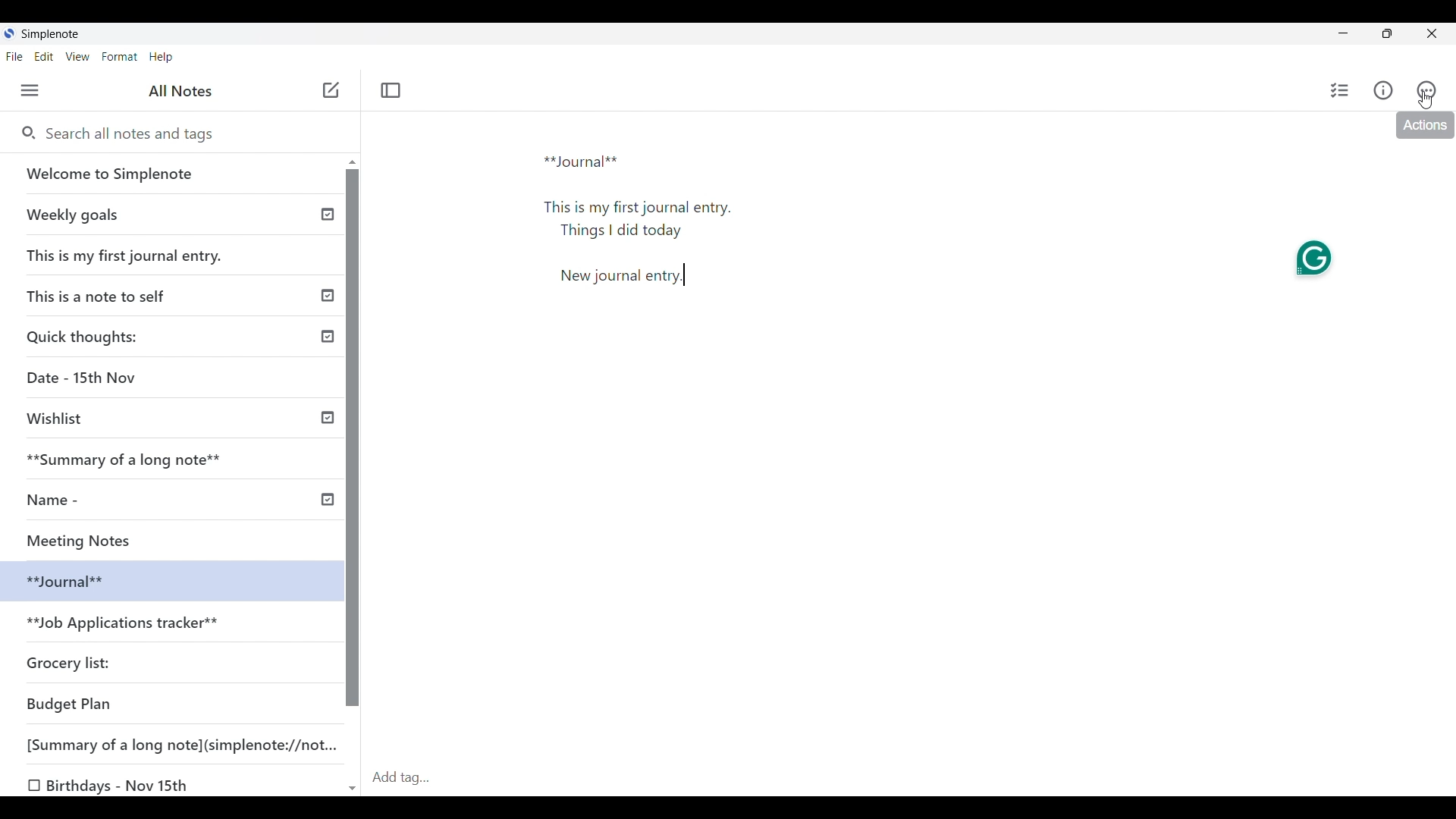  What do you see at coordinates (1387, 33) in the screenshot?
I see `Show interface in a smaller tab` at bounding box center [1387, 33].